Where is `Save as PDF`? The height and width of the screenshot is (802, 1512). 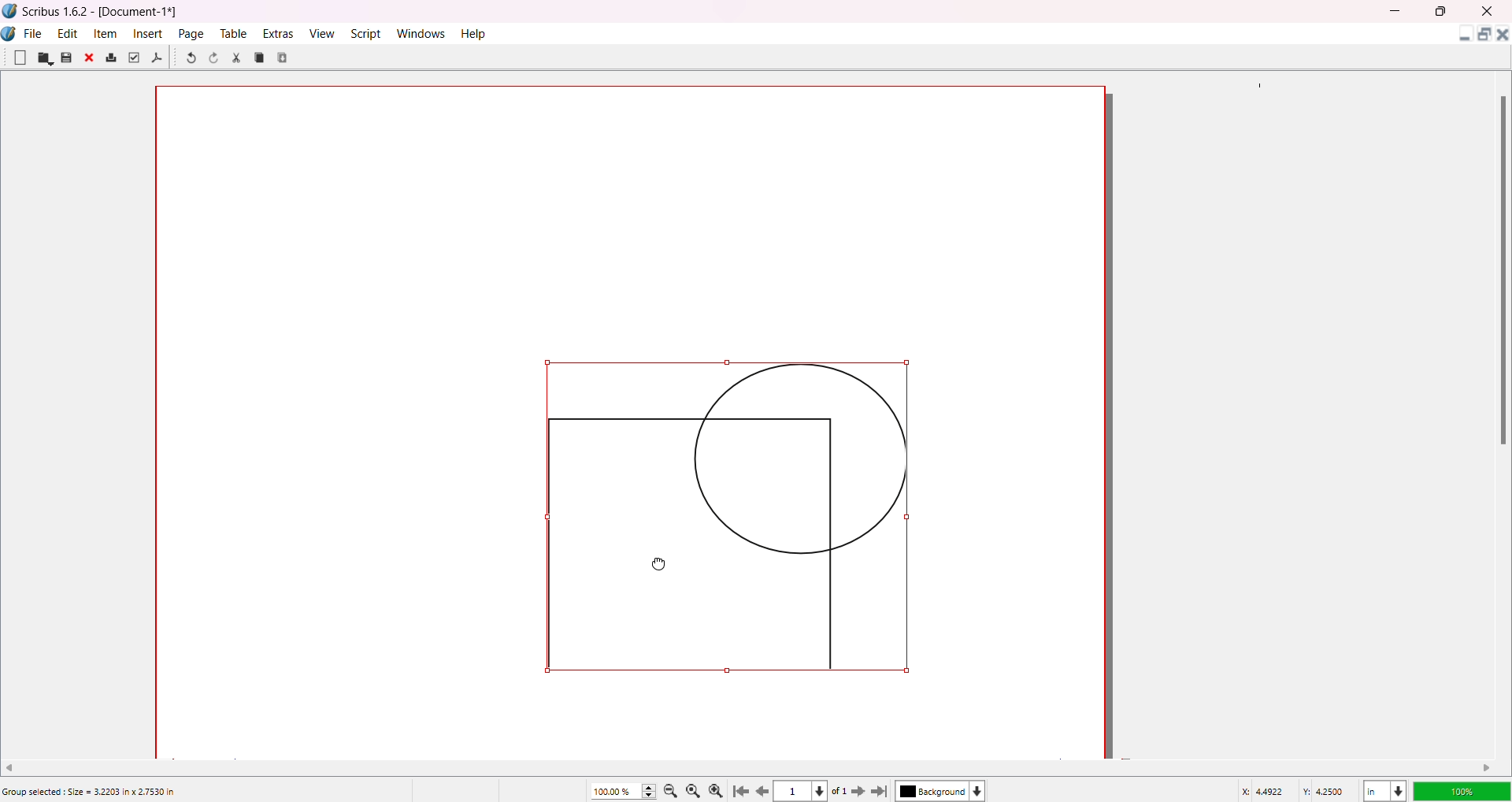 Save as PDF is located at coordinates (157, 58).